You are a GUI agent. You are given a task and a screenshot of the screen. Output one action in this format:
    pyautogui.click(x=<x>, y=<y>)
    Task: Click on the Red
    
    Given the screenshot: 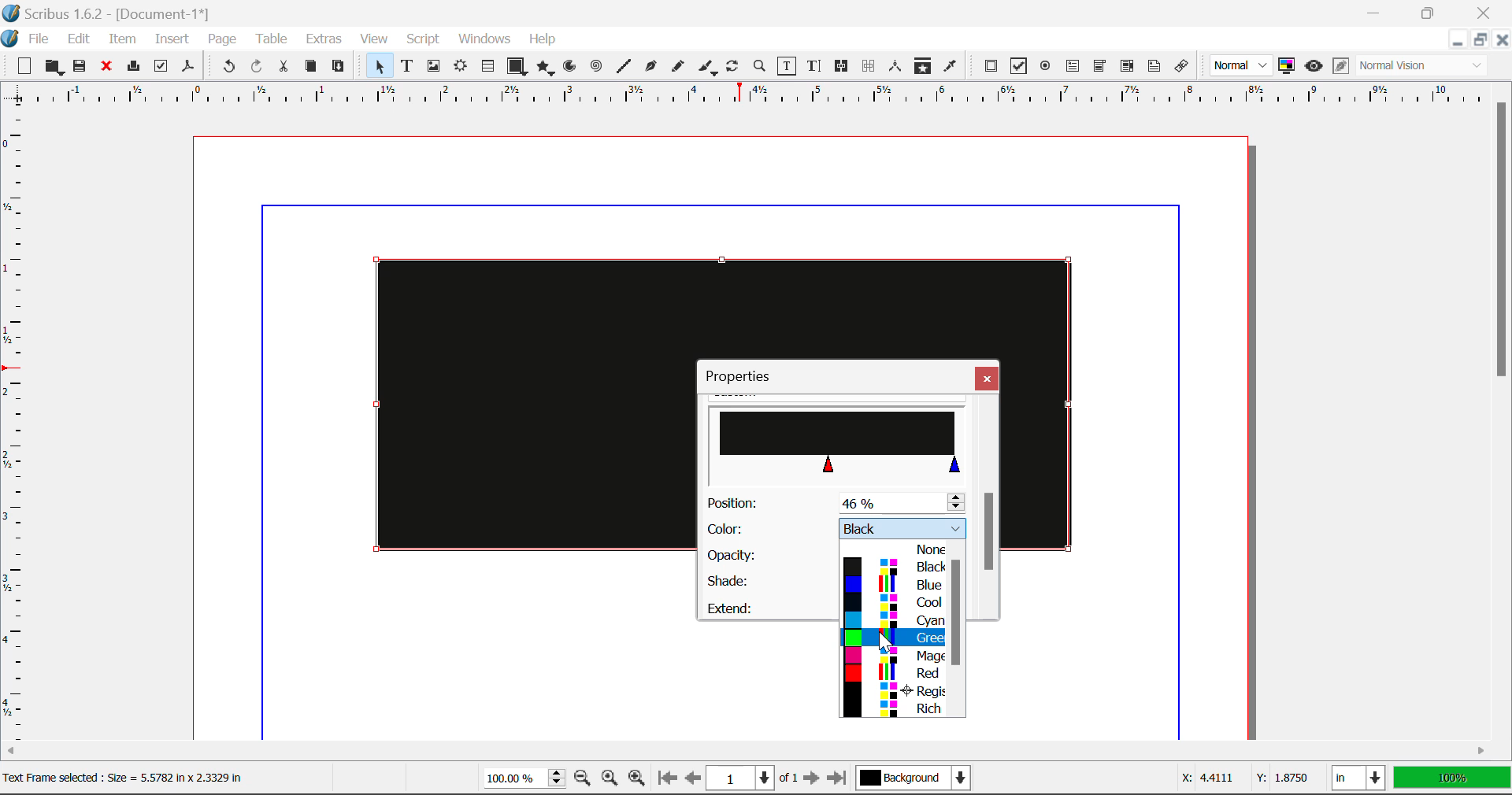 What is the action you would take?
    pyautogui.click(x=896, y=674)
    